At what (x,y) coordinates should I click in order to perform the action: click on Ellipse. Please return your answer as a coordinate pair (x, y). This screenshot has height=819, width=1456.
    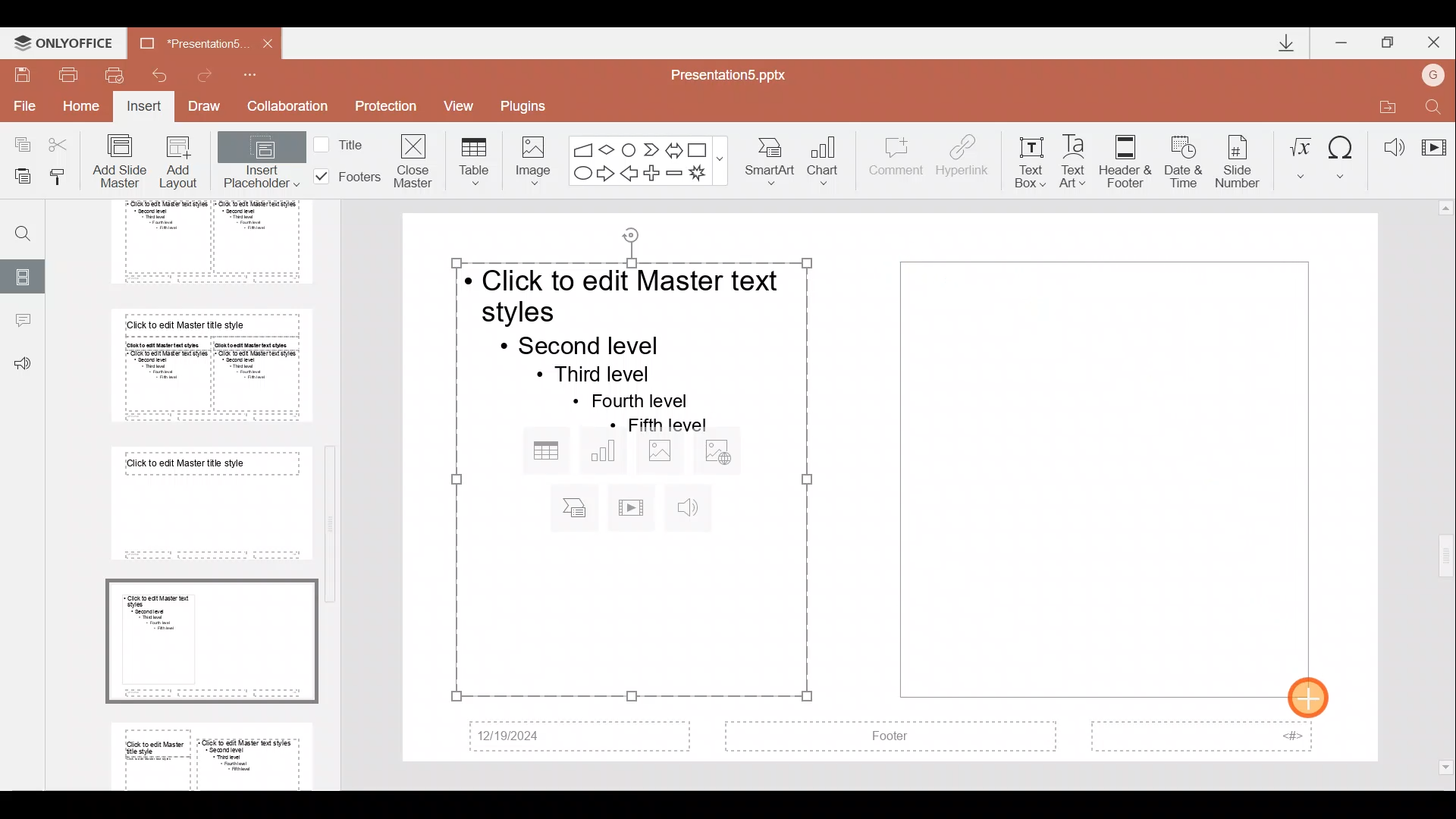
    Looking at the image, I should click on (581, 174).